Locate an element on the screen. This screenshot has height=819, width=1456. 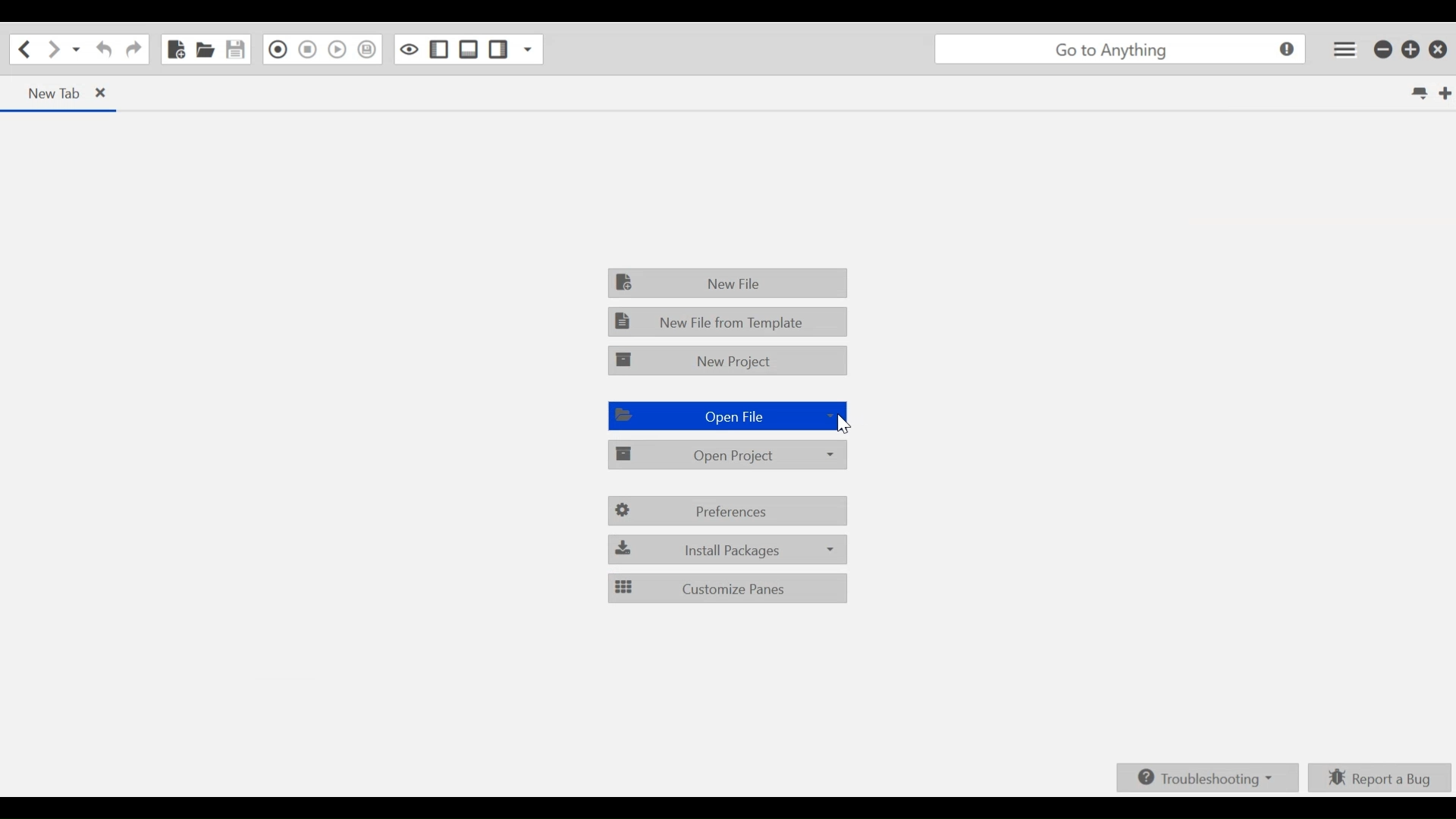
Show/hide Right Pane is located at coordinates (498, 50).